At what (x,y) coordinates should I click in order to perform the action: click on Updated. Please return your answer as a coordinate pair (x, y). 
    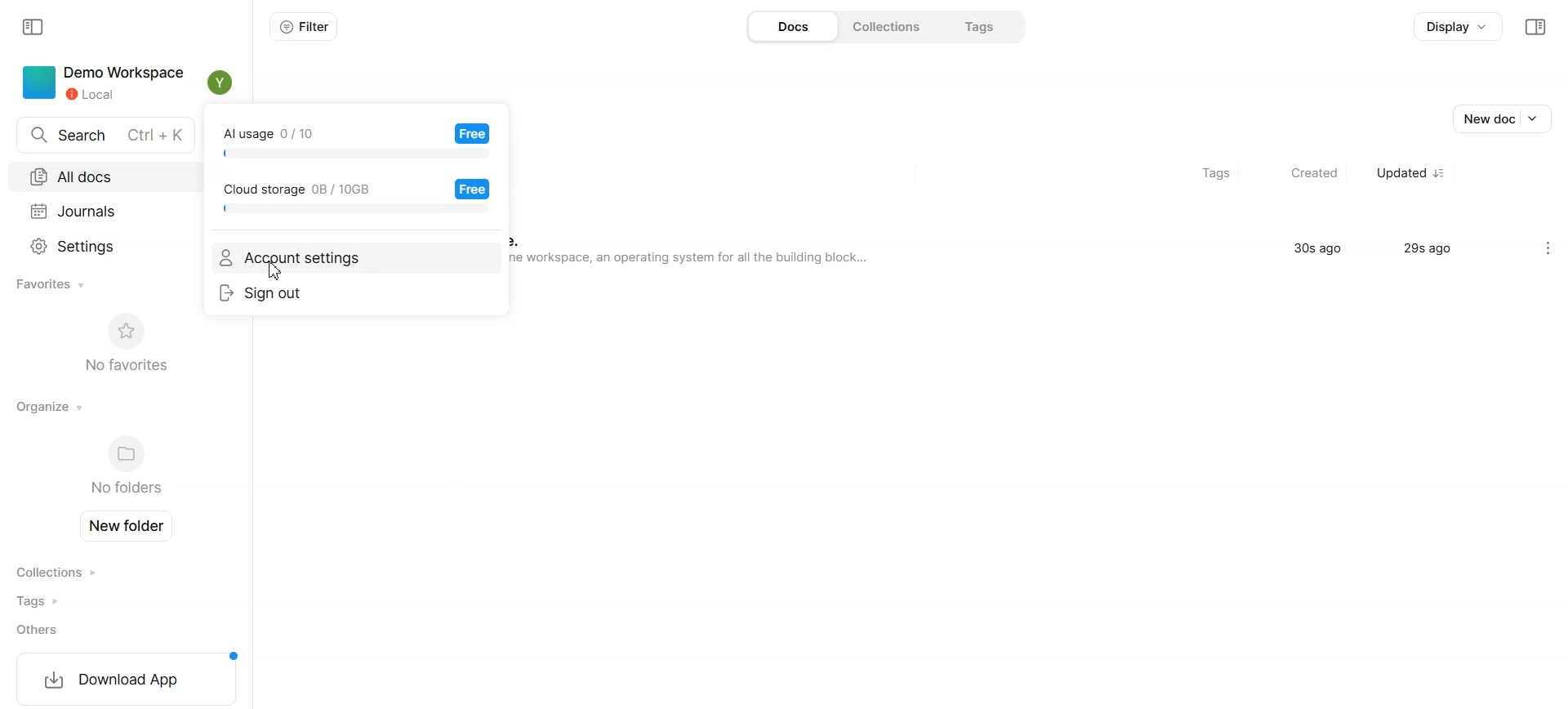
    Looking at the image, I should click on (1407, 173).